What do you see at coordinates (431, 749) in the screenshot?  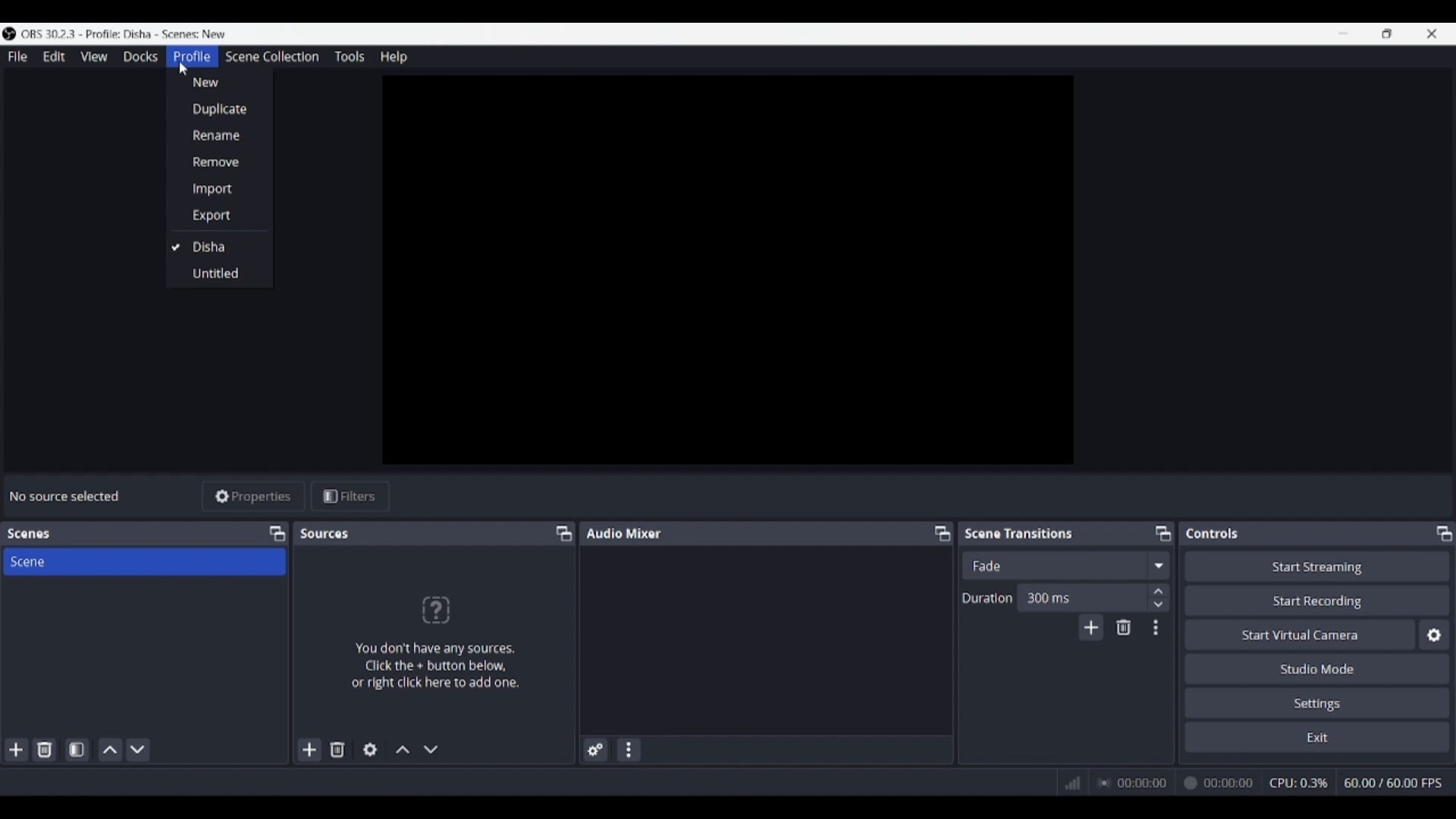 I see `Move source down` at bounding box center [431, 749].